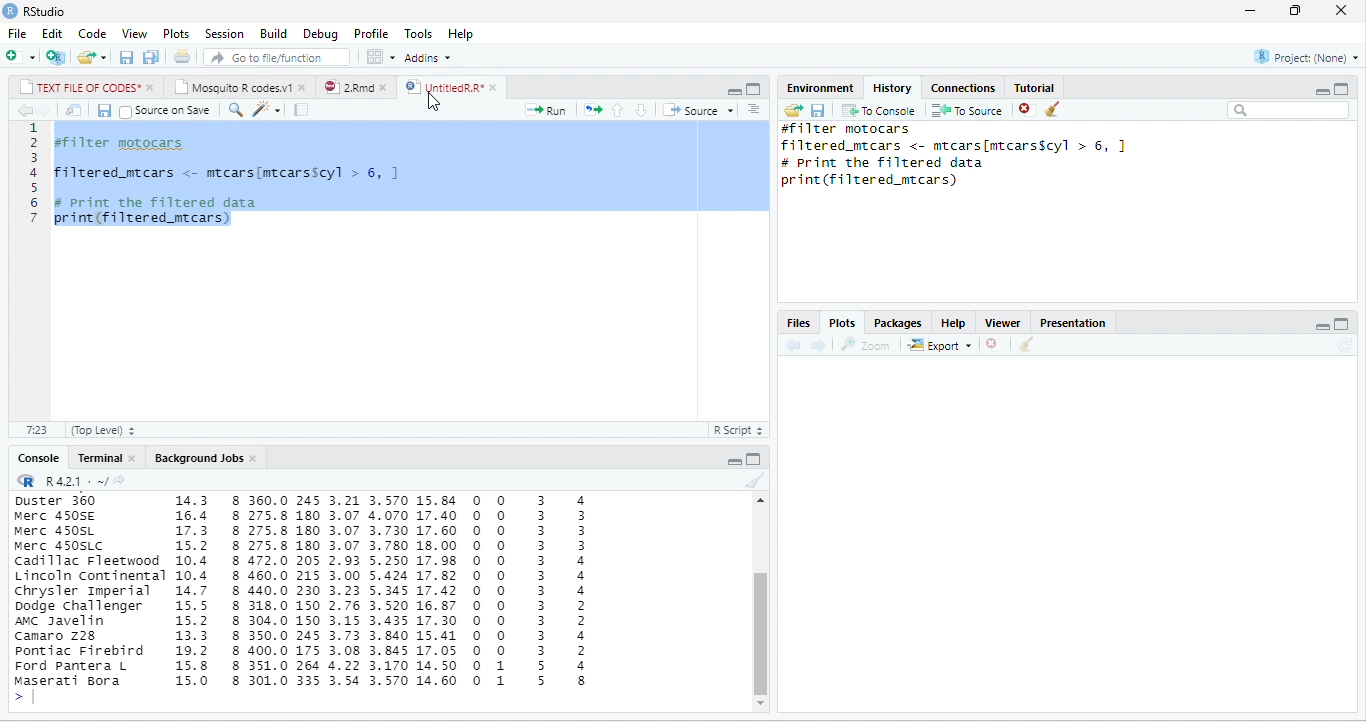 The width and height of the screenshot is (1366, 722). What do you see at coordinates (26, 110) in the screenshot?
I see `back` at bounding box center [26, 110].